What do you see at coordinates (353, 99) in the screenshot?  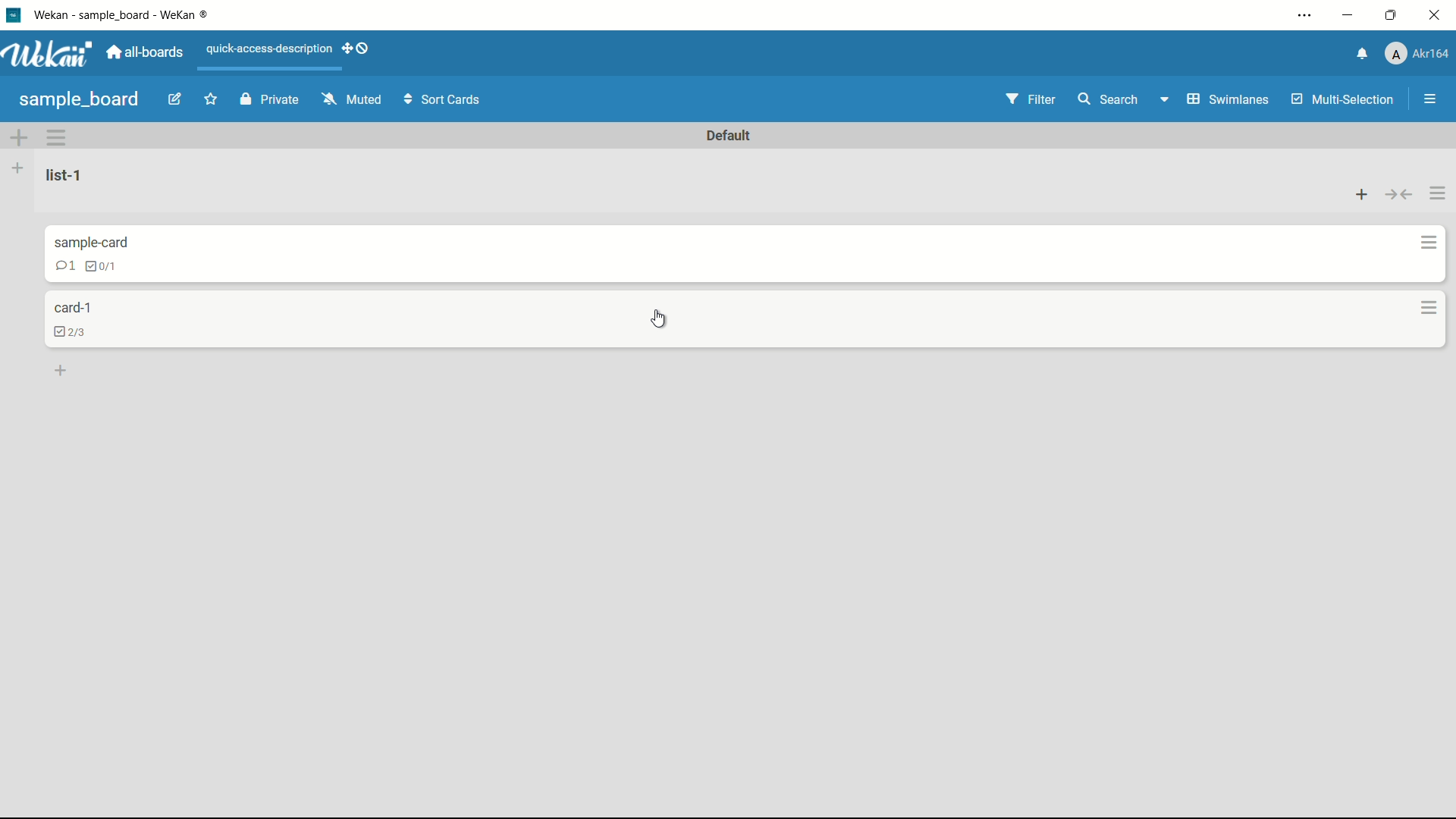 I see `muted` at bounding box center [353, 99].